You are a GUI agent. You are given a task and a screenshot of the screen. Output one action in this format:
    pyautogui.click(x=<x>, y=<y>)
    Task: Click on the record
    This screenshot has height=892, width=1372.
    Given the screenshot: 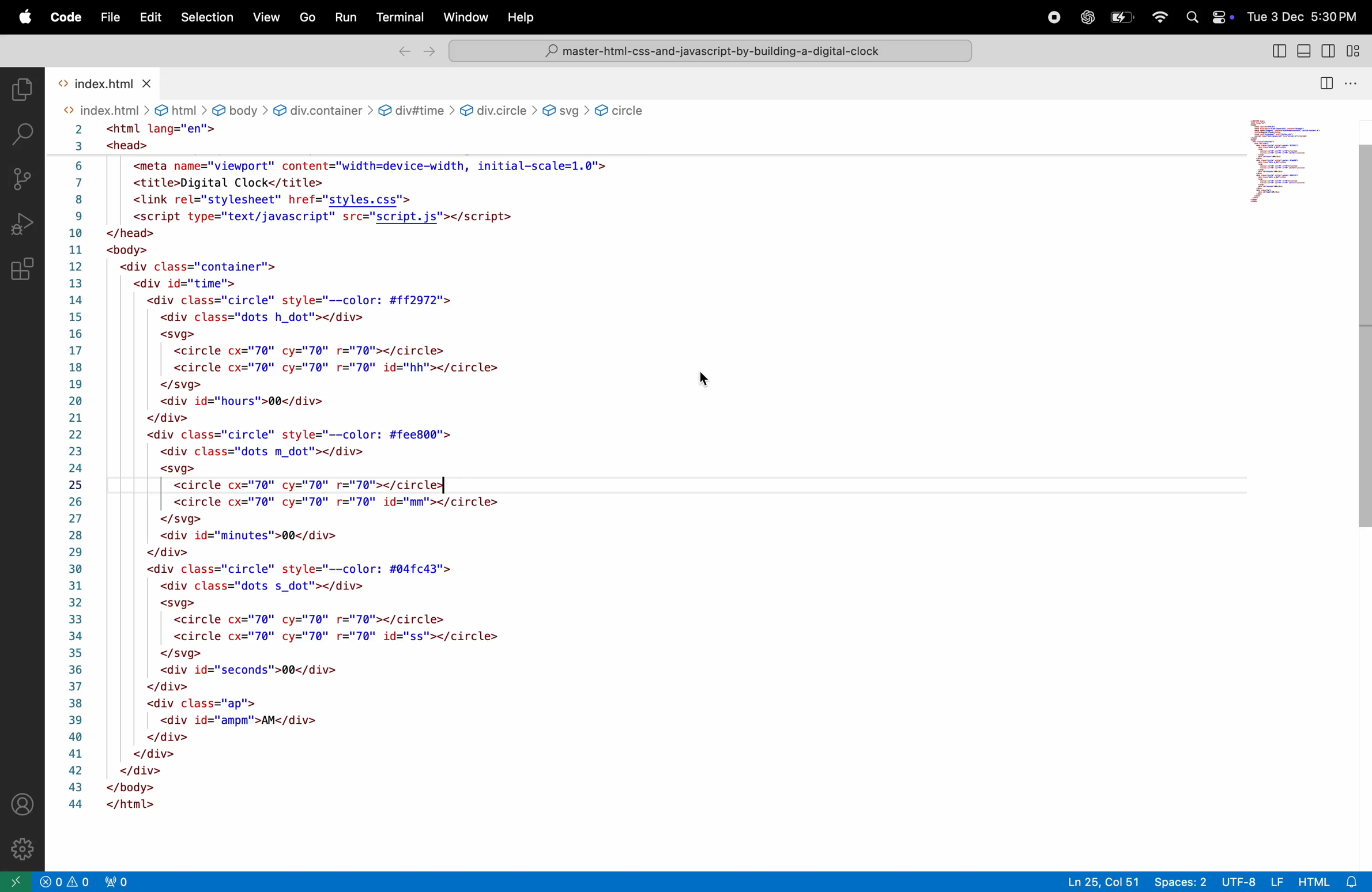 What is the action you would take?
    pyautogui.click(x=1054, y=16)
    